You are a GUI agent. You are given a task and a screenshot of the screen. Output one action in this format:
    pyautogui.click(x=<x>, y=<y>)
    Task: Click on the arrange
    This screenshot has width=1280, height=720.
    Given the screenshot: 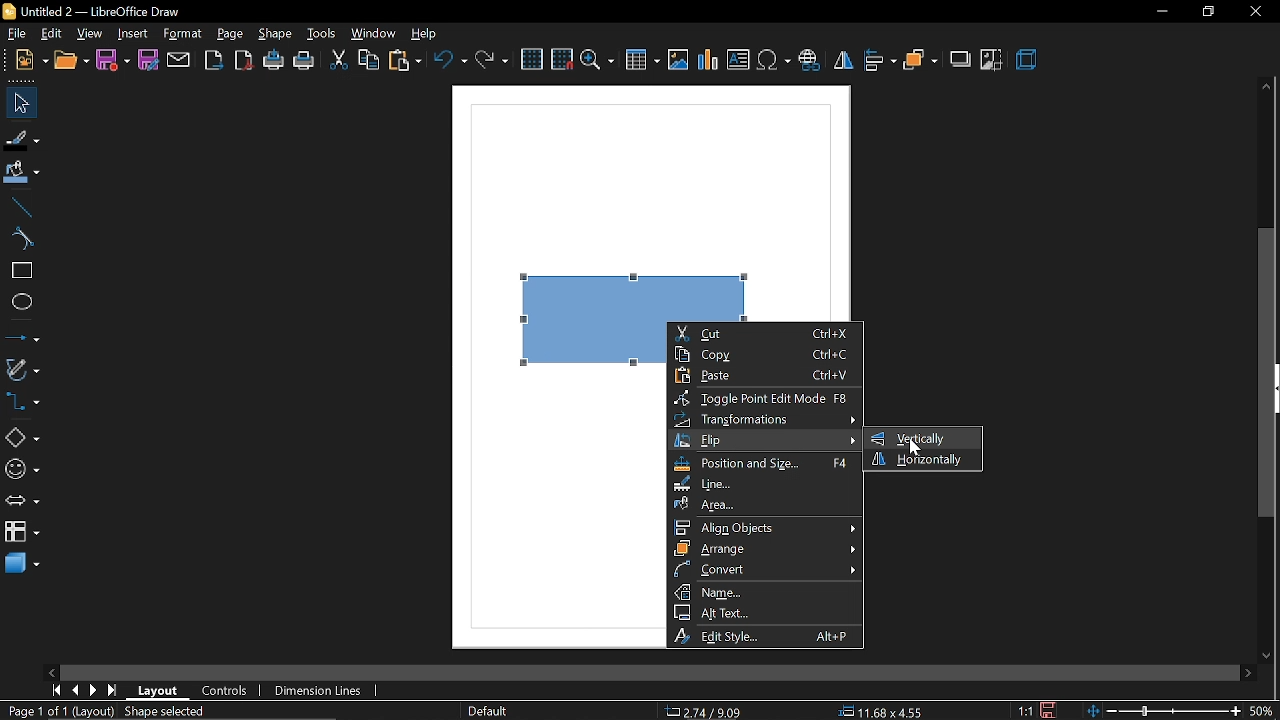 What is the action you would take?
    pyautogui.click(x=920, y=60)
    